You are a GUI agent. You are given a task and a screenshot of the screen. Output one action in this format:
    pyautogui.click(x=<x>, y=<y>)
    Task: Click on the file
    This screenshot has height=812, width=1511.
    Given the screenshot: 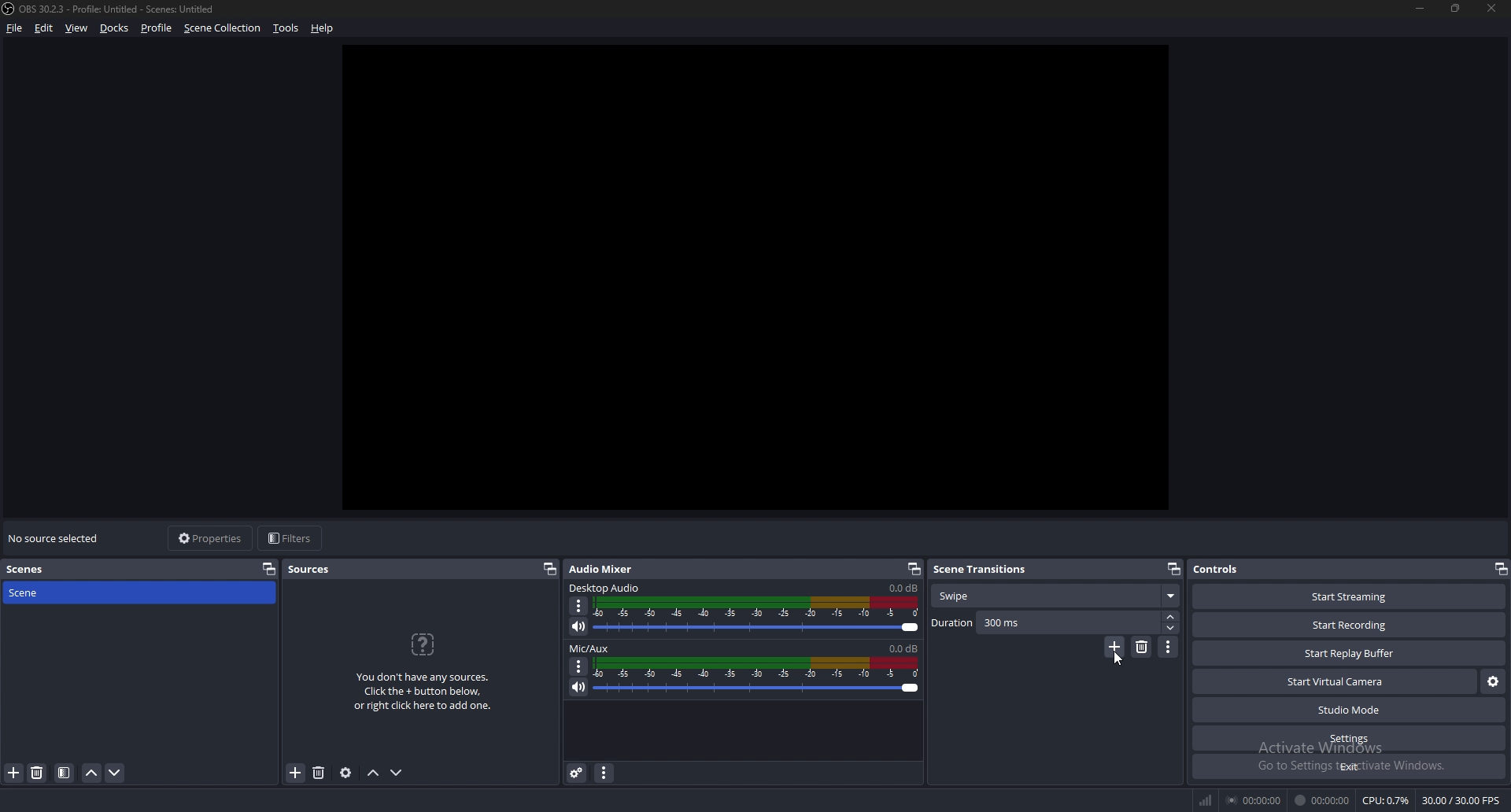 What is the action you would take?
    pyautogui.click(x=15, y=28)
    